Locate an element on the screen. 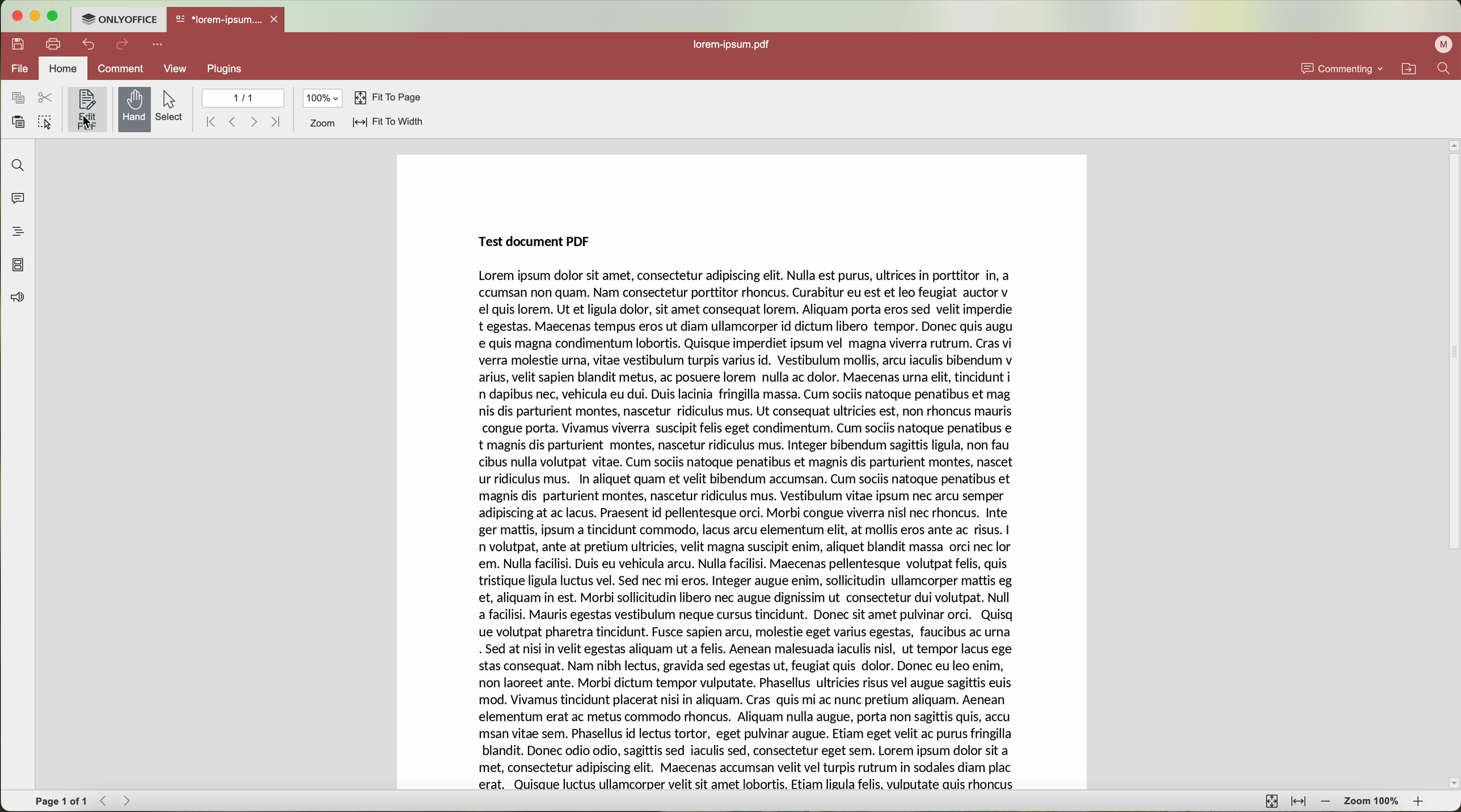 The height and width of the screenshot is (812, 1461). home is located at coordinates (65, 67).